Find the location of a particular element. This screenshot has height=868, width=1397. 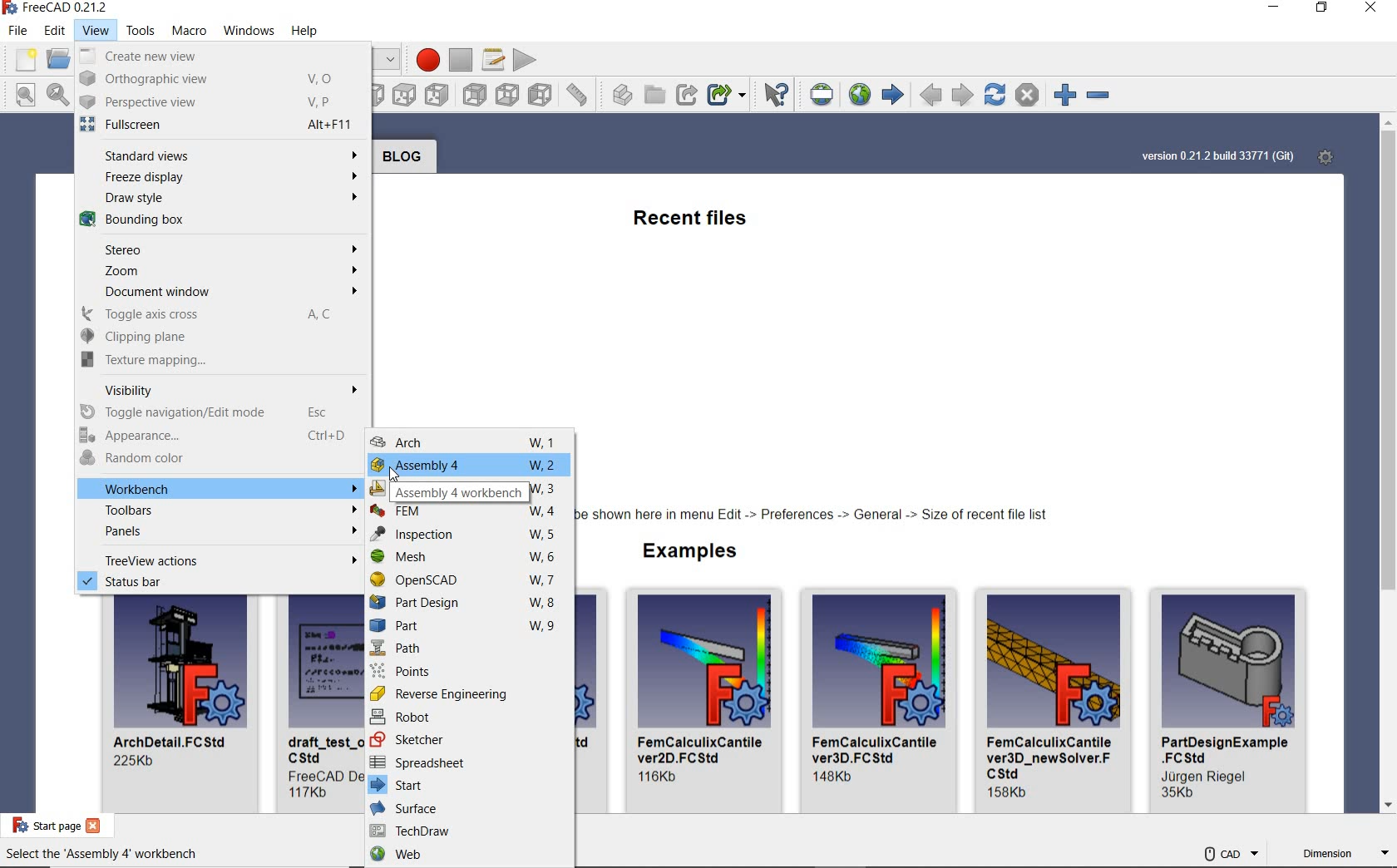

bottom is located at coordinates (508, 96).